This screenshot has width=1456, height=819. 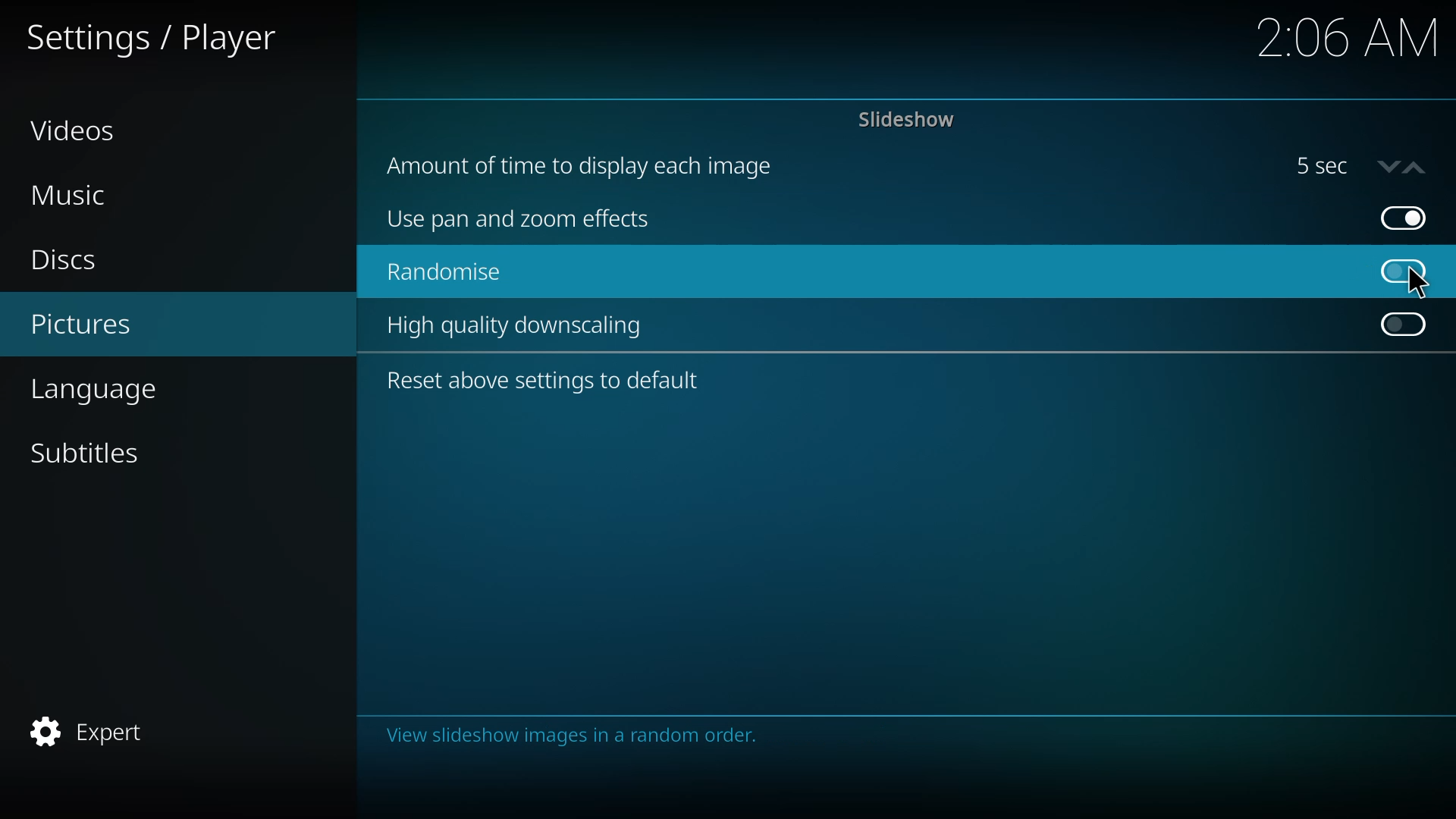 What do you see at coordinates (157, 42) in the screenshot?
I see `settings player` at bounding box center [157, 42].